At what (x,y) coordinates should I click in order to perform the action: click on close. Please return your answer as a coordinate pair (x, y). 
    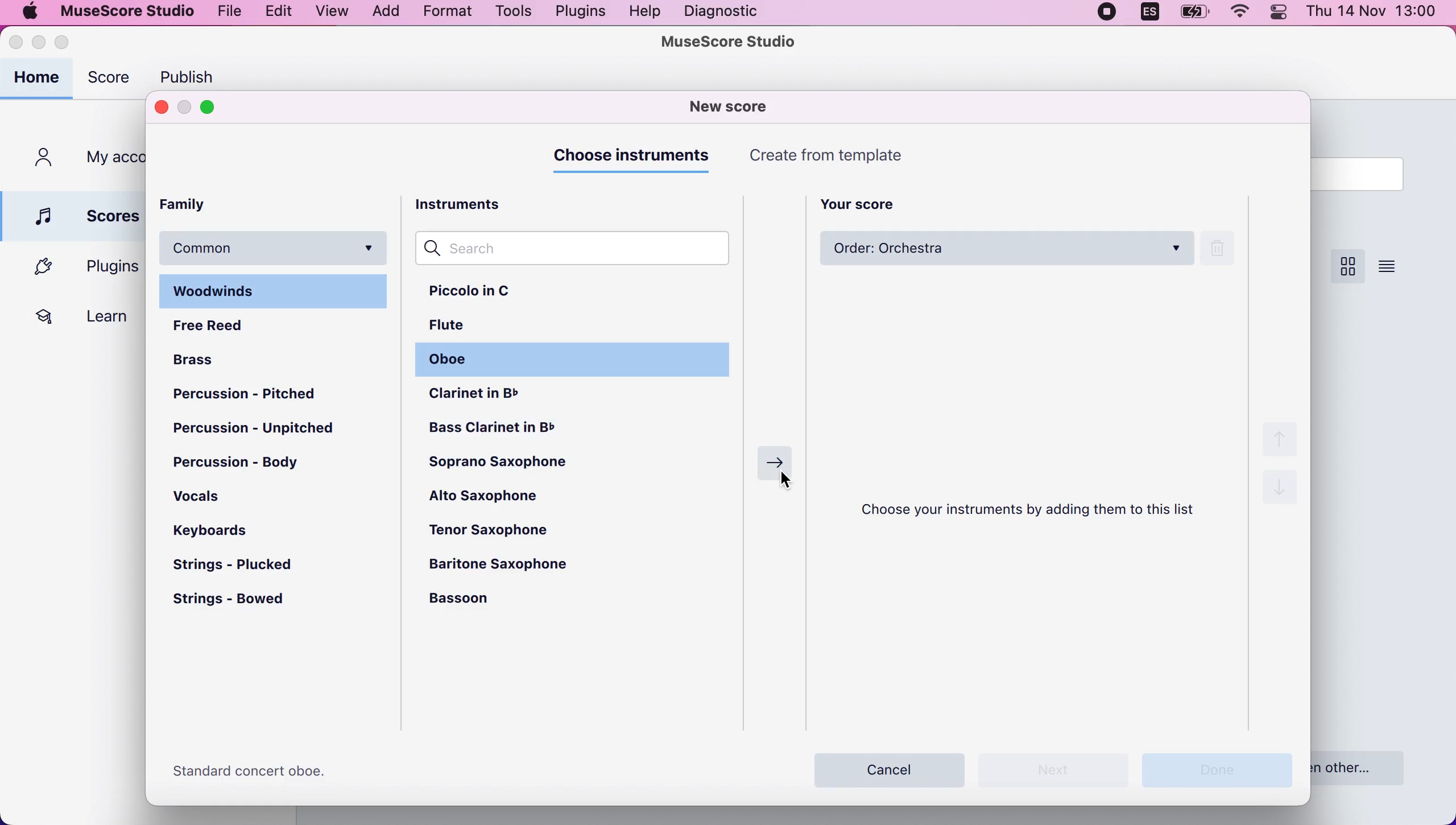
    Looking at the image, I should click on (17, 44).